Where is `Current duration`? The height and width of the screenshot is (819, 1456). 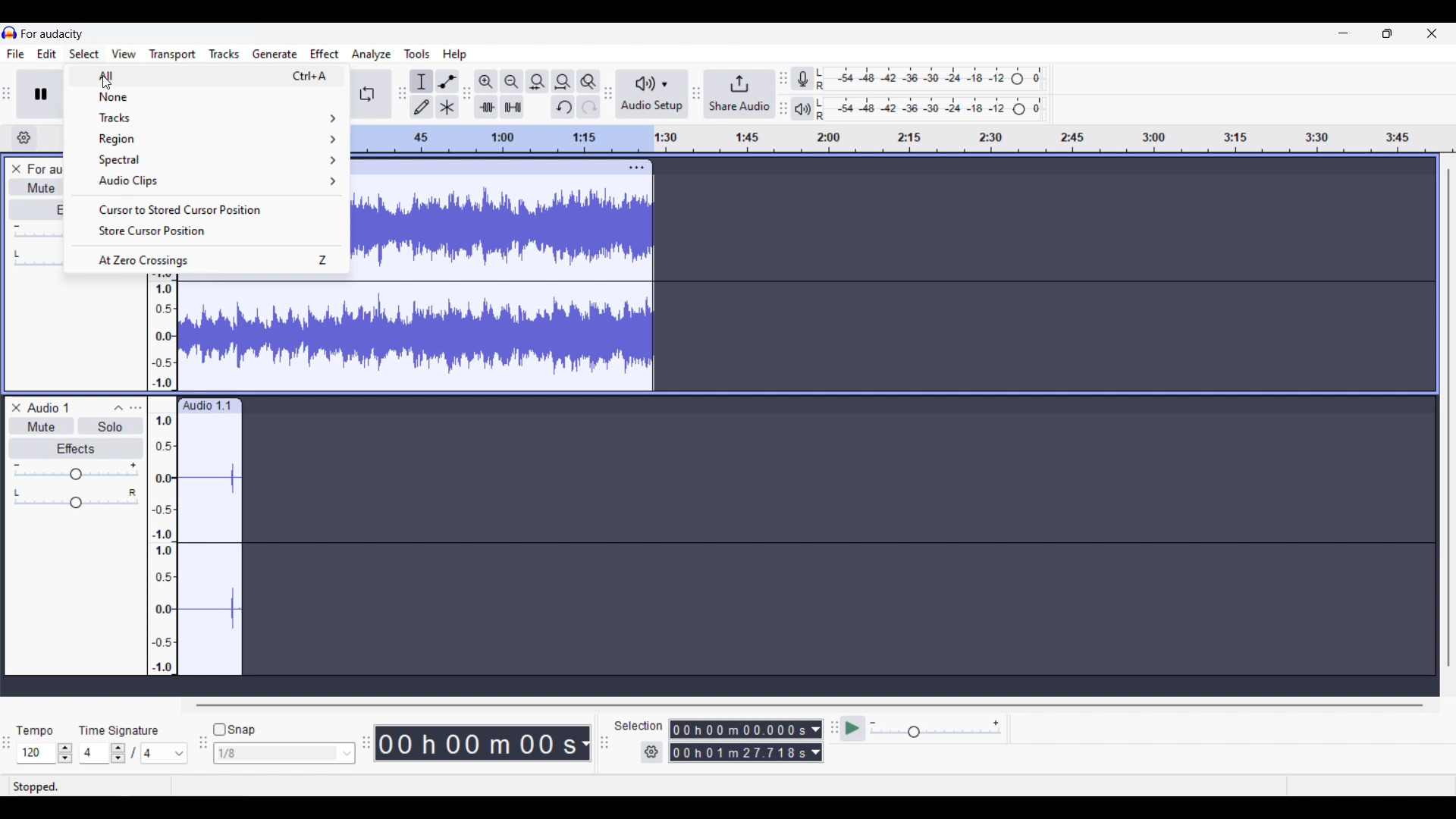 Current duration is located at coordinates (476, 743).